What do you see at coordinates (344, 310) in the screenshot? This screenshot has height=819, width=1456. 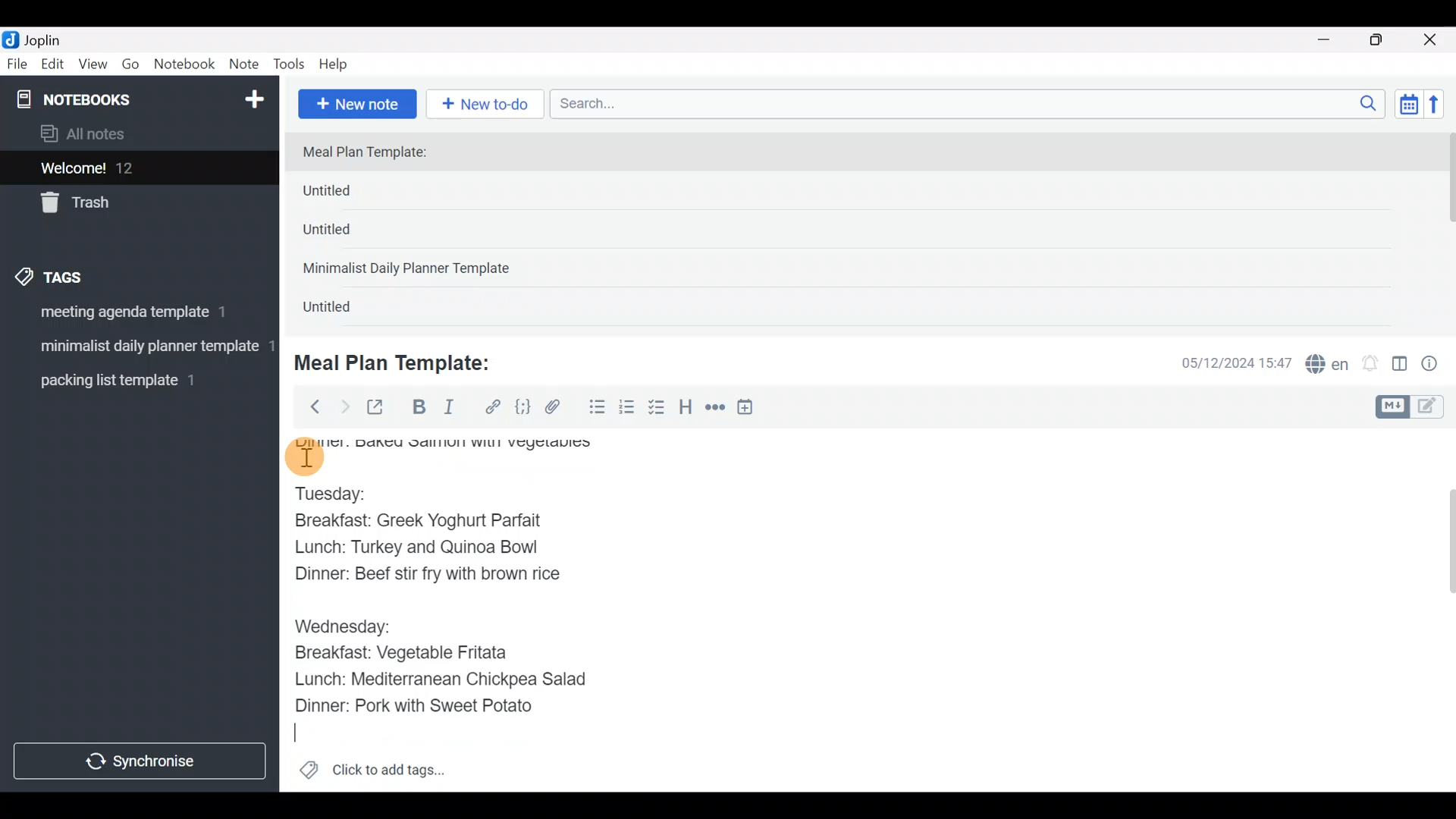 I see `Untitled` at bounding box center [344, 310].